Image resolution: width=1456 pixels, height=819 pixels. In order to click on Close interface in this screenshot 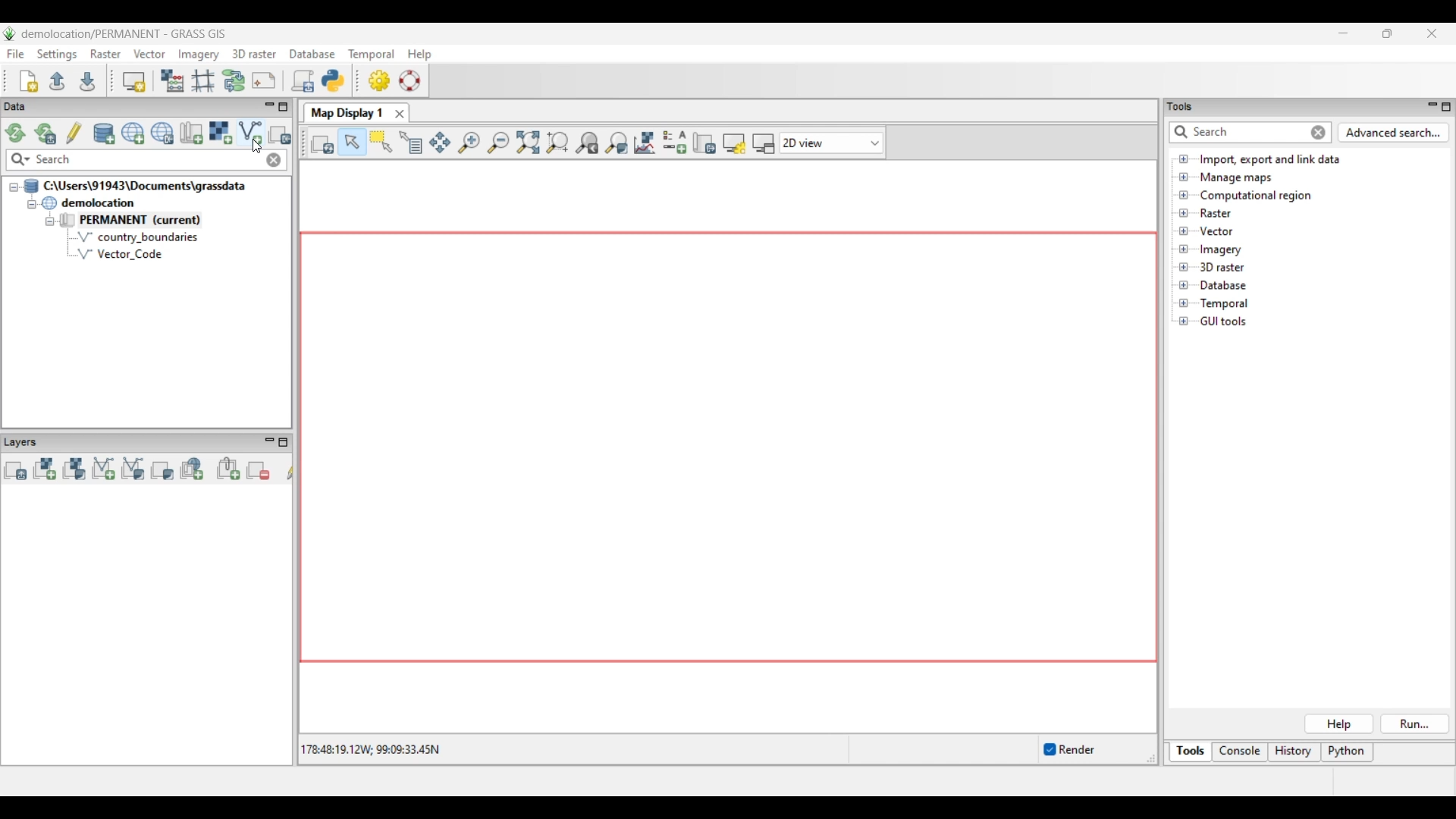, I will do `click(1431, 33)`.